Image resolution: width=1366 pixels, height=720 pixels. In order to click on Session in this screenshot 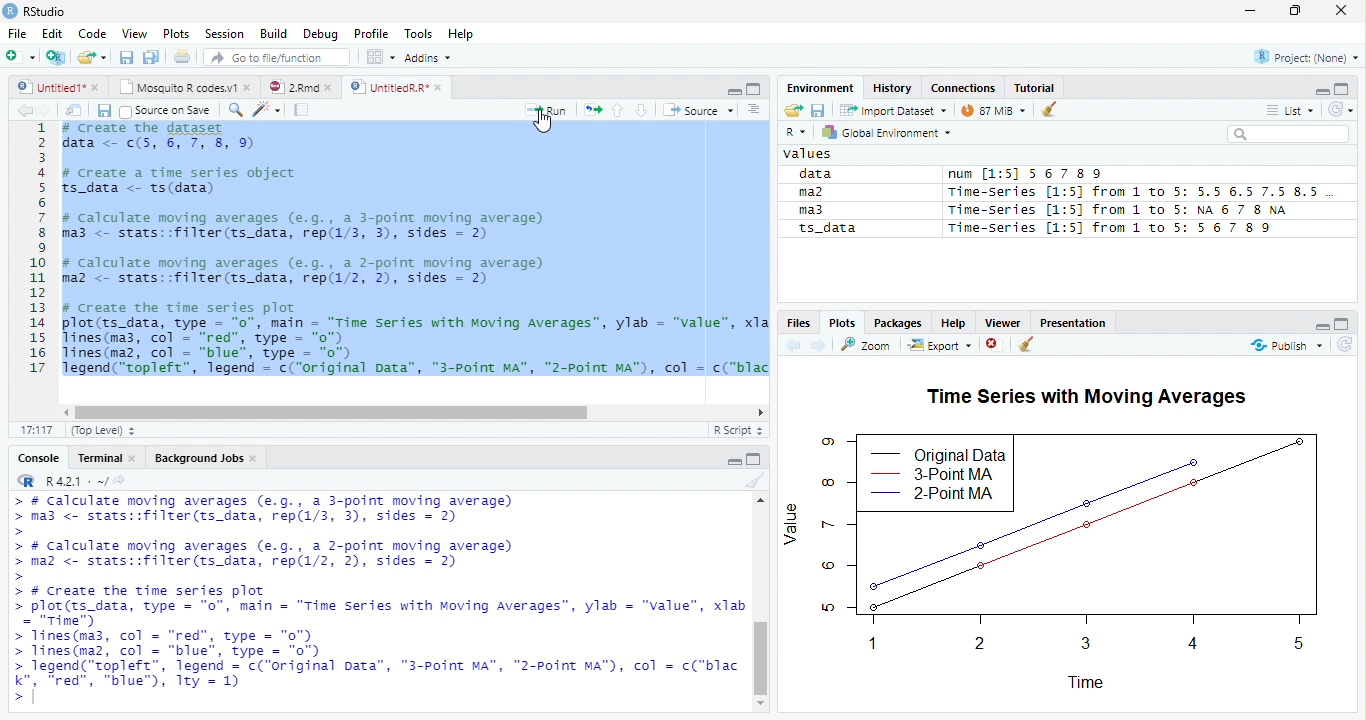, I will do `click(224, 33)`.